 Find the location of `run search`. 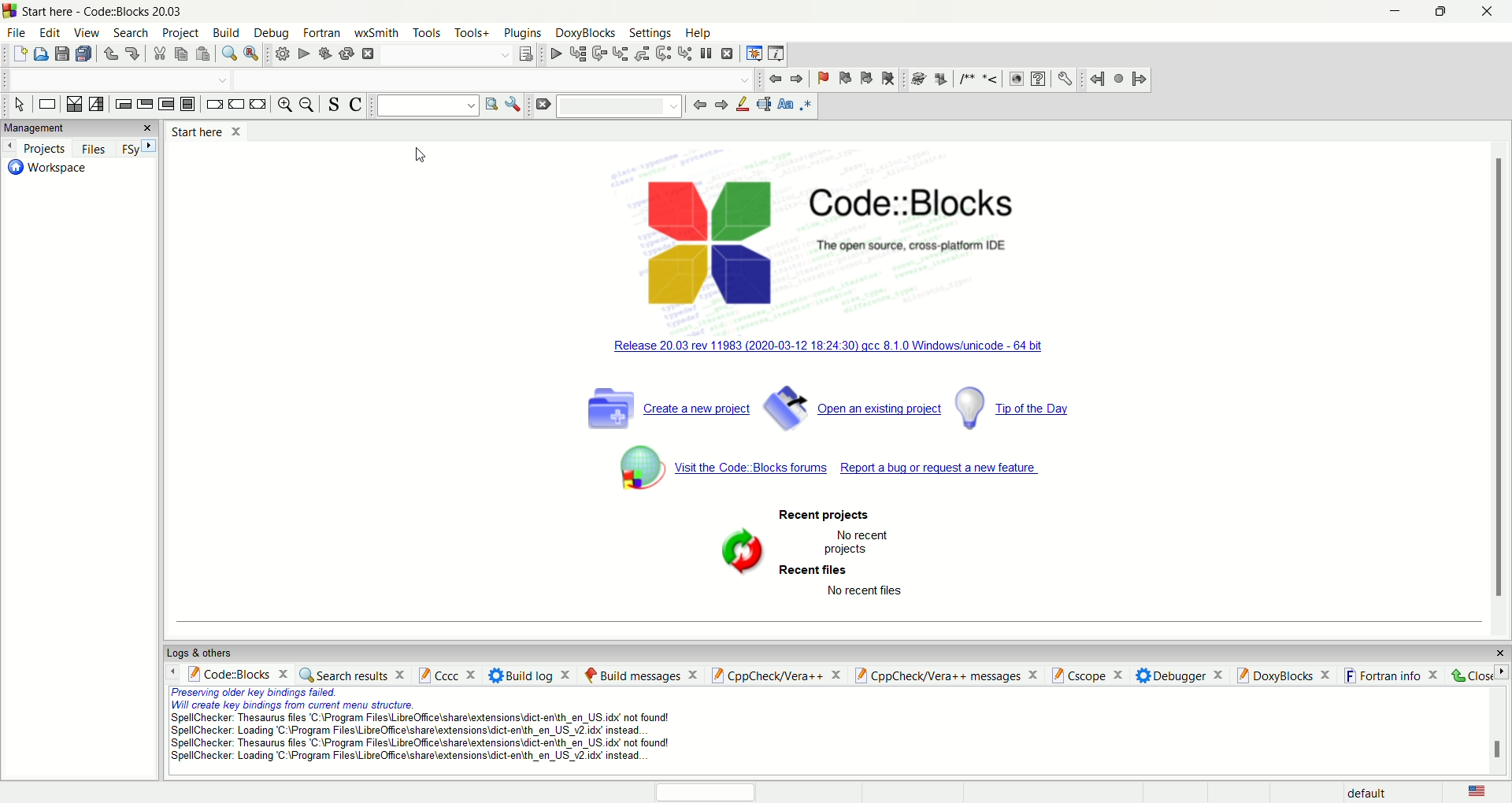

run search is located at coordinates (492, 105).